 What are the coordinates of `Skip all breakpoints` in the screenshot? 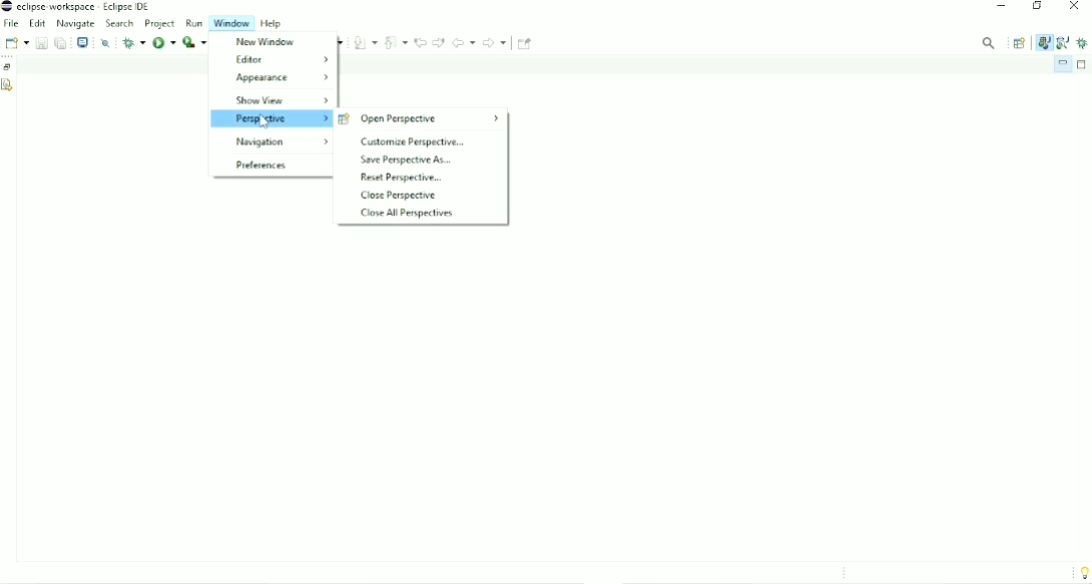 It's located at (105, 43).